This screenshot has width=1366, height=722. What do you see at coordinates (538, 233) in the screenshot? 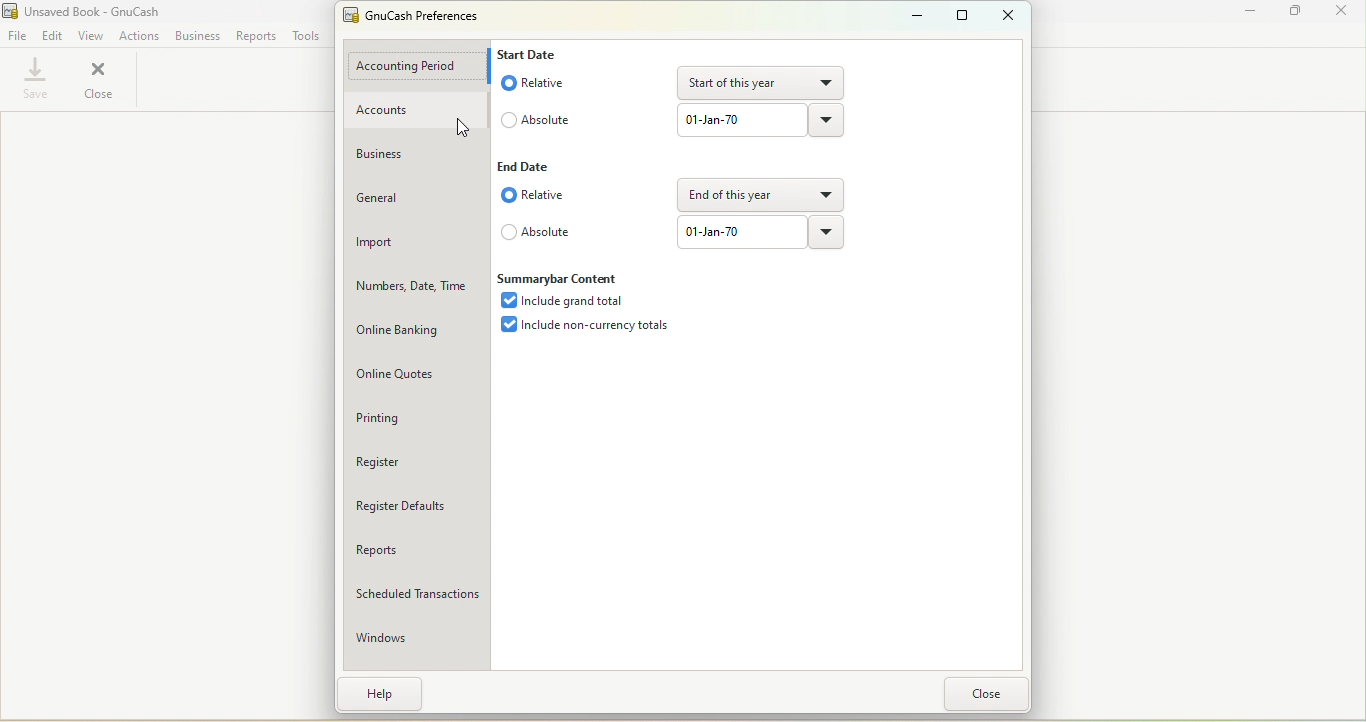
I see `Absolute` at bounding box center [538, 233].